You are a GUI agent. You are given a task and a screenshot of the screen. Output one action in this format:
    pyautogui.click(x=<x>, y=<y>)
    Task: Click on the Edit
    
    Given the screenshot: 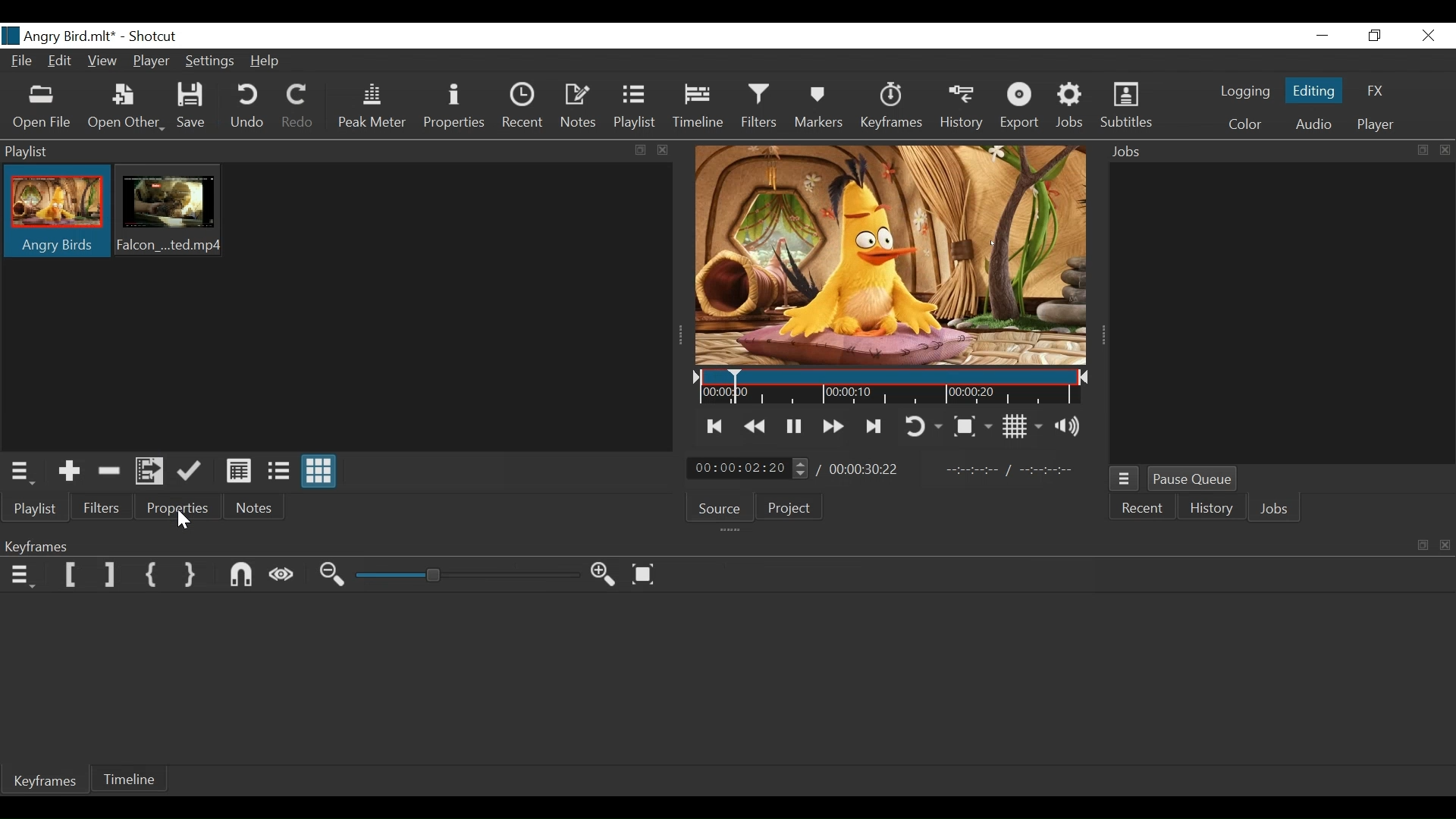 What is the action you would take?
    pyautogui.click(x=60, y=62)
    